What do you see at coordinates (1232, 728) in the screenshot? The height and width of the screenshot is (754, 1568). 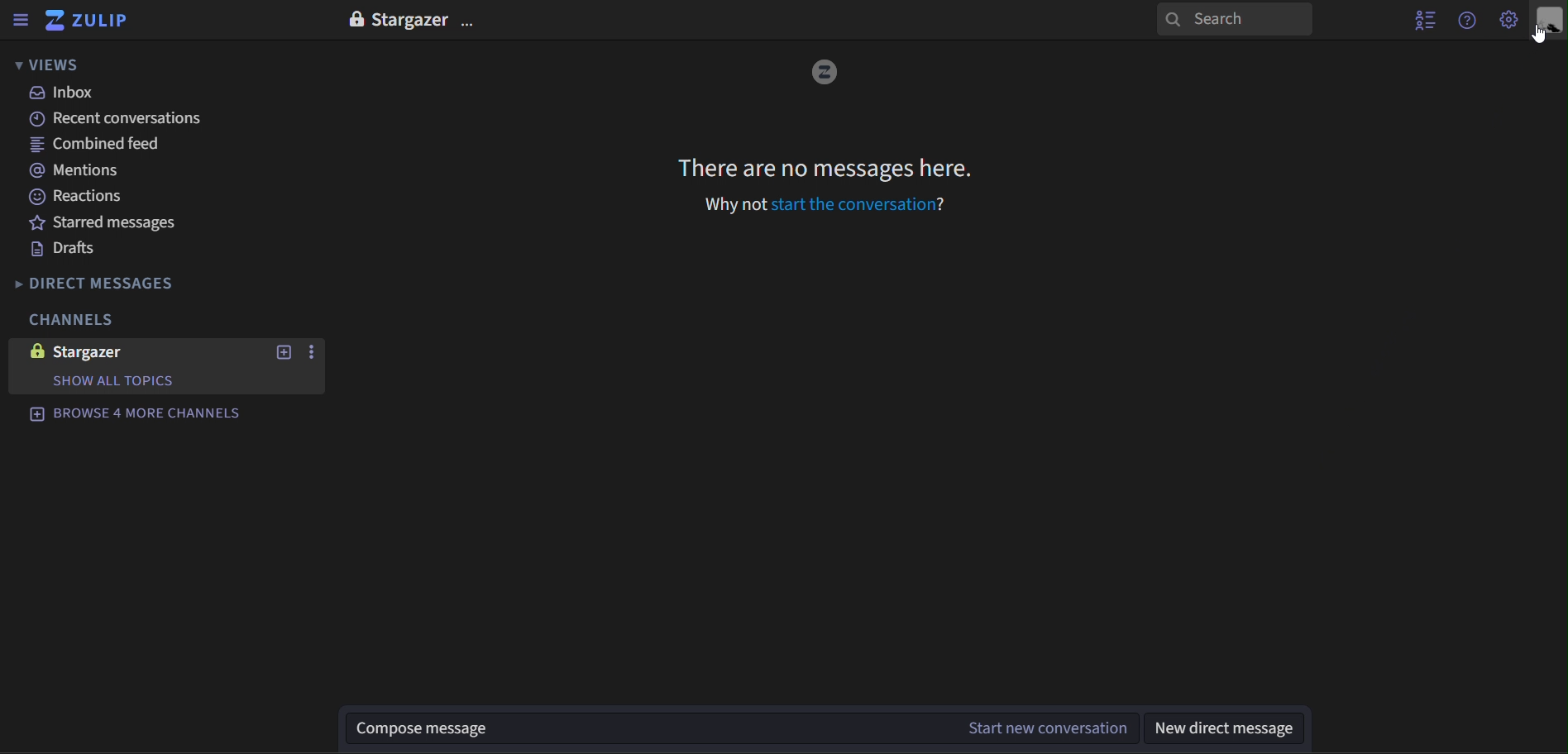 I see `new direct message` at bounding box center [1232, 728].